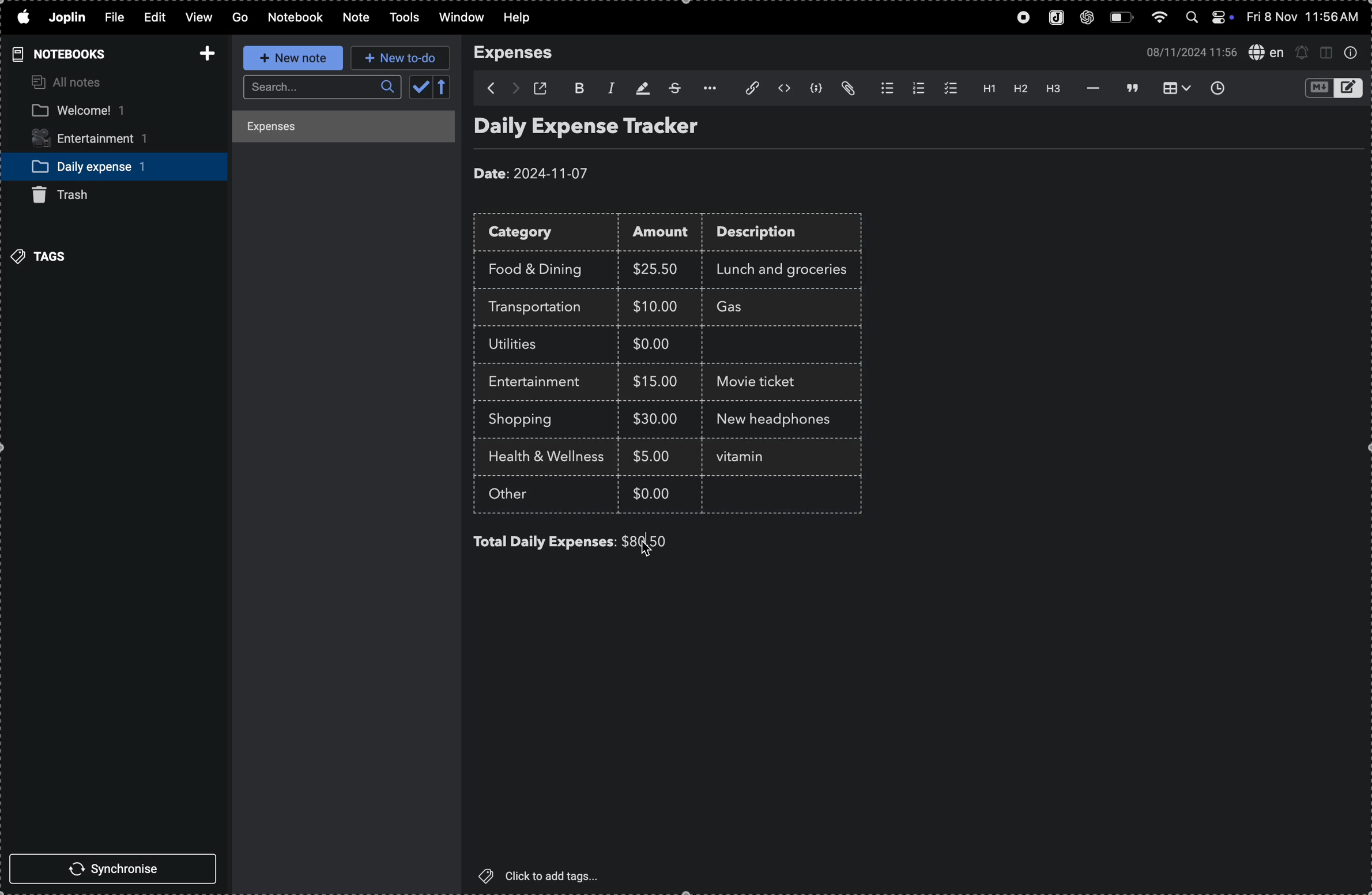  What do you see at coordinates (1129, 88) in the screenshot?
I see `blockquote` at bounding box center [1129, 88].